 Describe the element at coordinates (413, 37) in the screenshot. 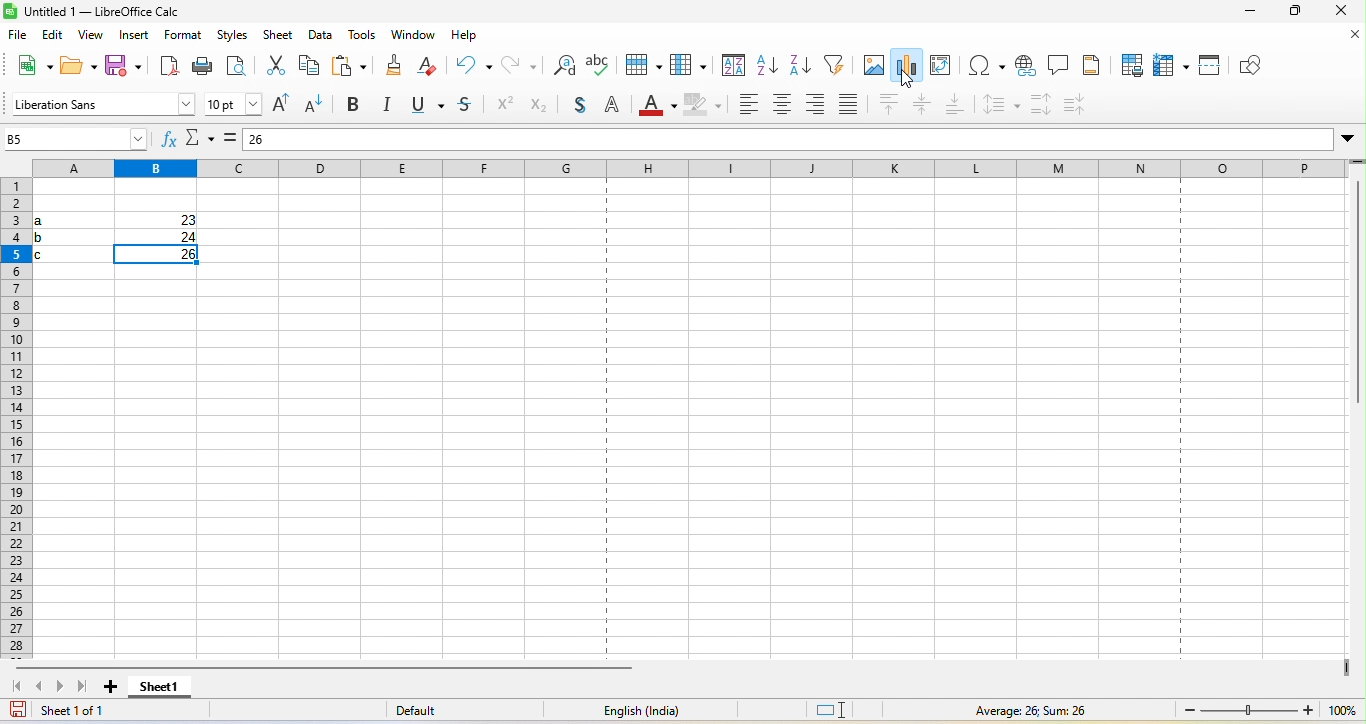

I see `window` at that location.